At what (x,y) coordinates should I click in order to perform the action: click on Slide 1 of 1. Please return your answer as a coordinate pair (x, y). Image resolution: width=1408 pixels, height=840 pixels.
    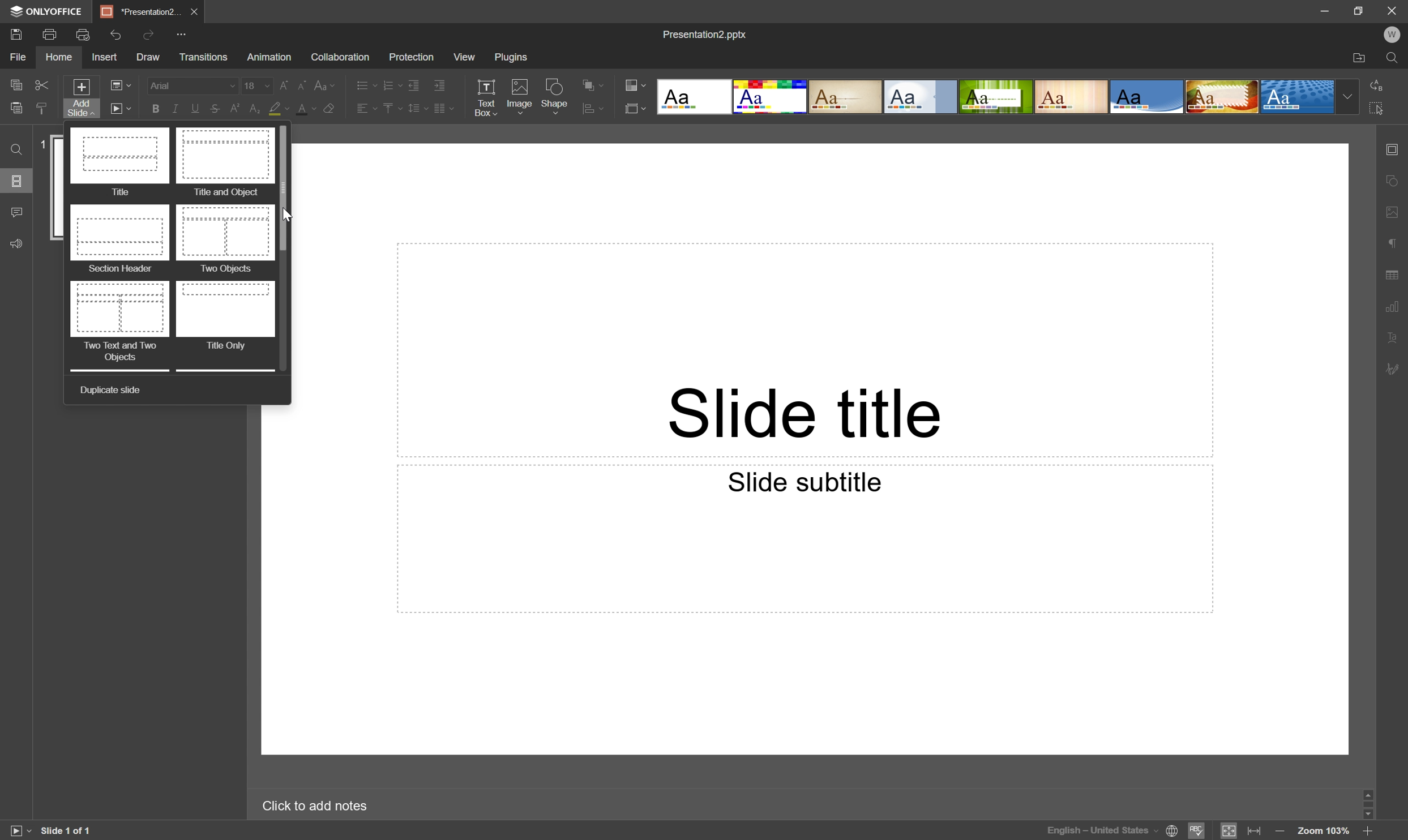
    Looking at the image, I should click on (67, 829).